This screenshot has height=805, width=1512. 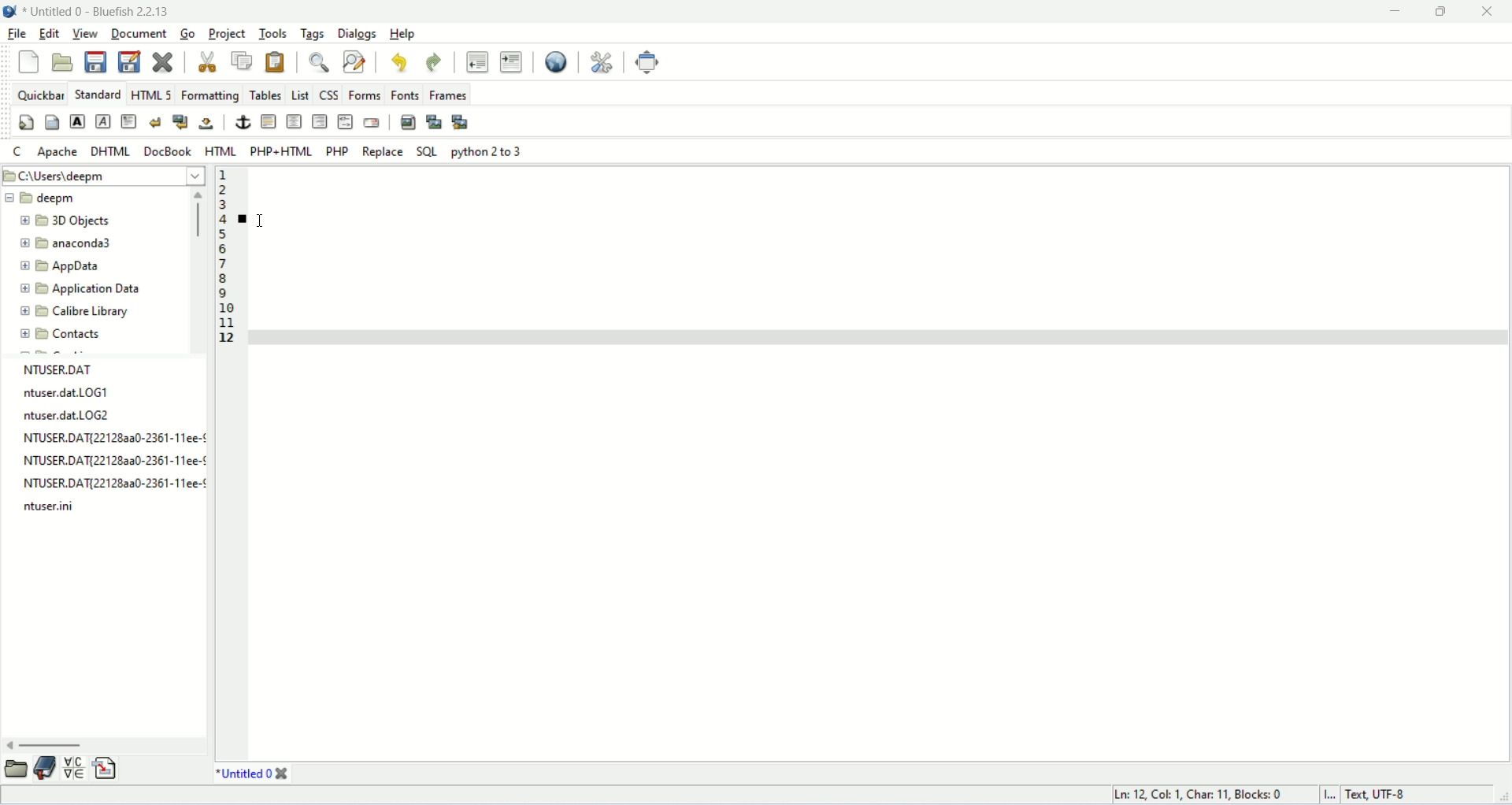 What do you see at coordinates (43, 767) in the screenshot?
I see `documentation` at bounding box center [43, 767].